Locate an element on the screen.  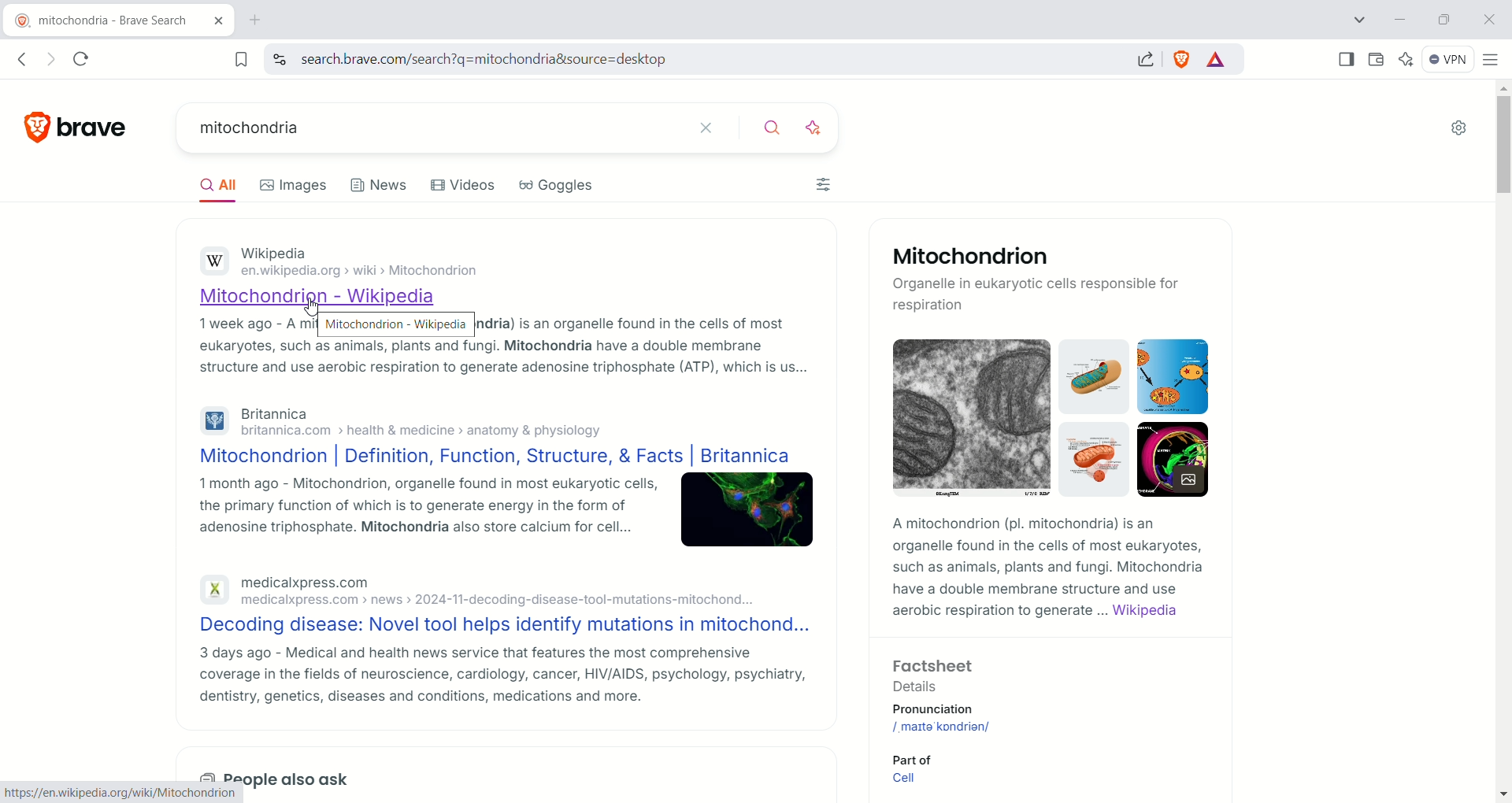
search is located at coordinates (693, 60).